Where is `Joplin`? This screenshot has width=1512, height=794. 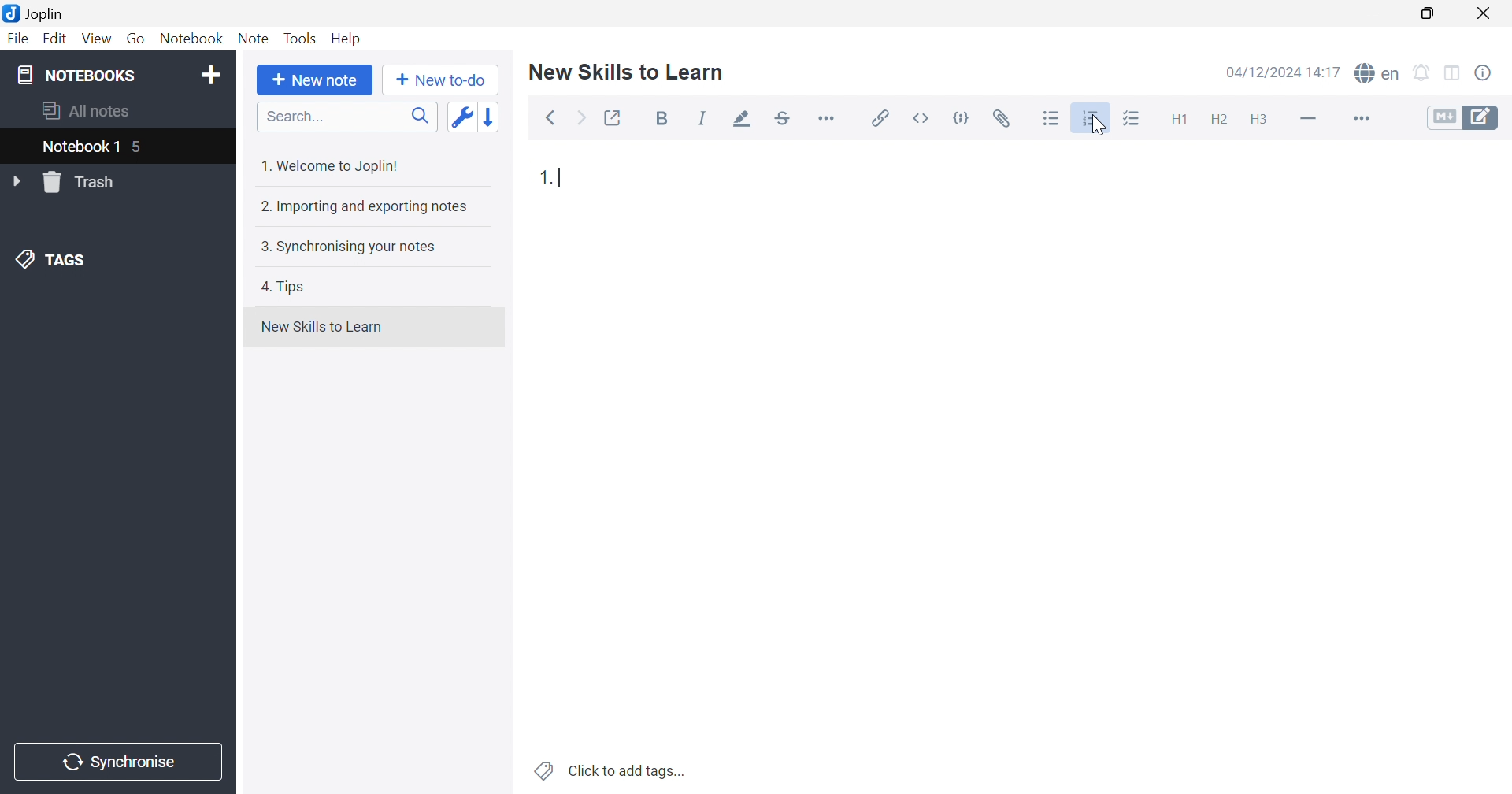 Joplin is located at coordinates (33, 12).